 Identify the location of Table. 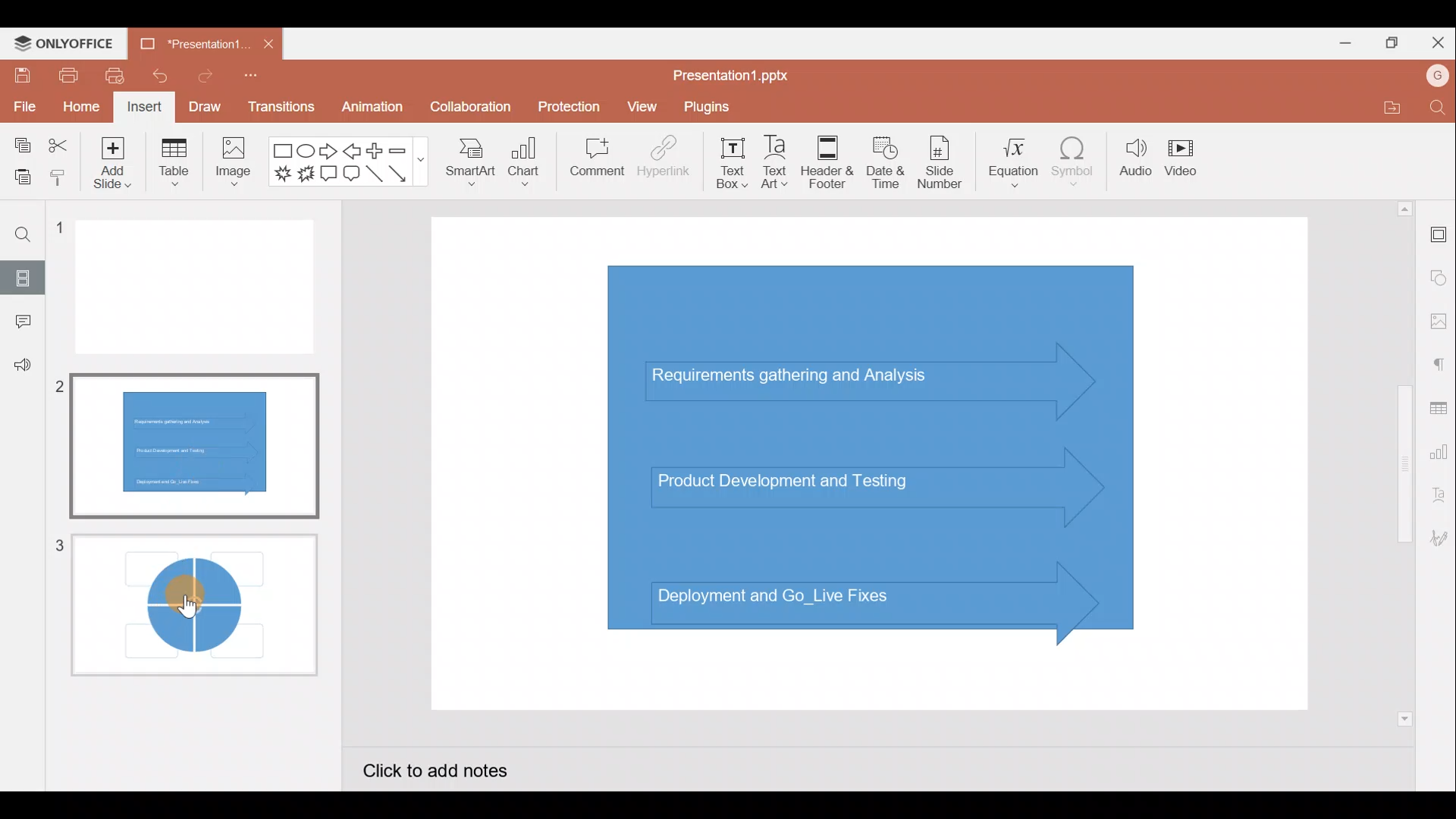
(174, 165).